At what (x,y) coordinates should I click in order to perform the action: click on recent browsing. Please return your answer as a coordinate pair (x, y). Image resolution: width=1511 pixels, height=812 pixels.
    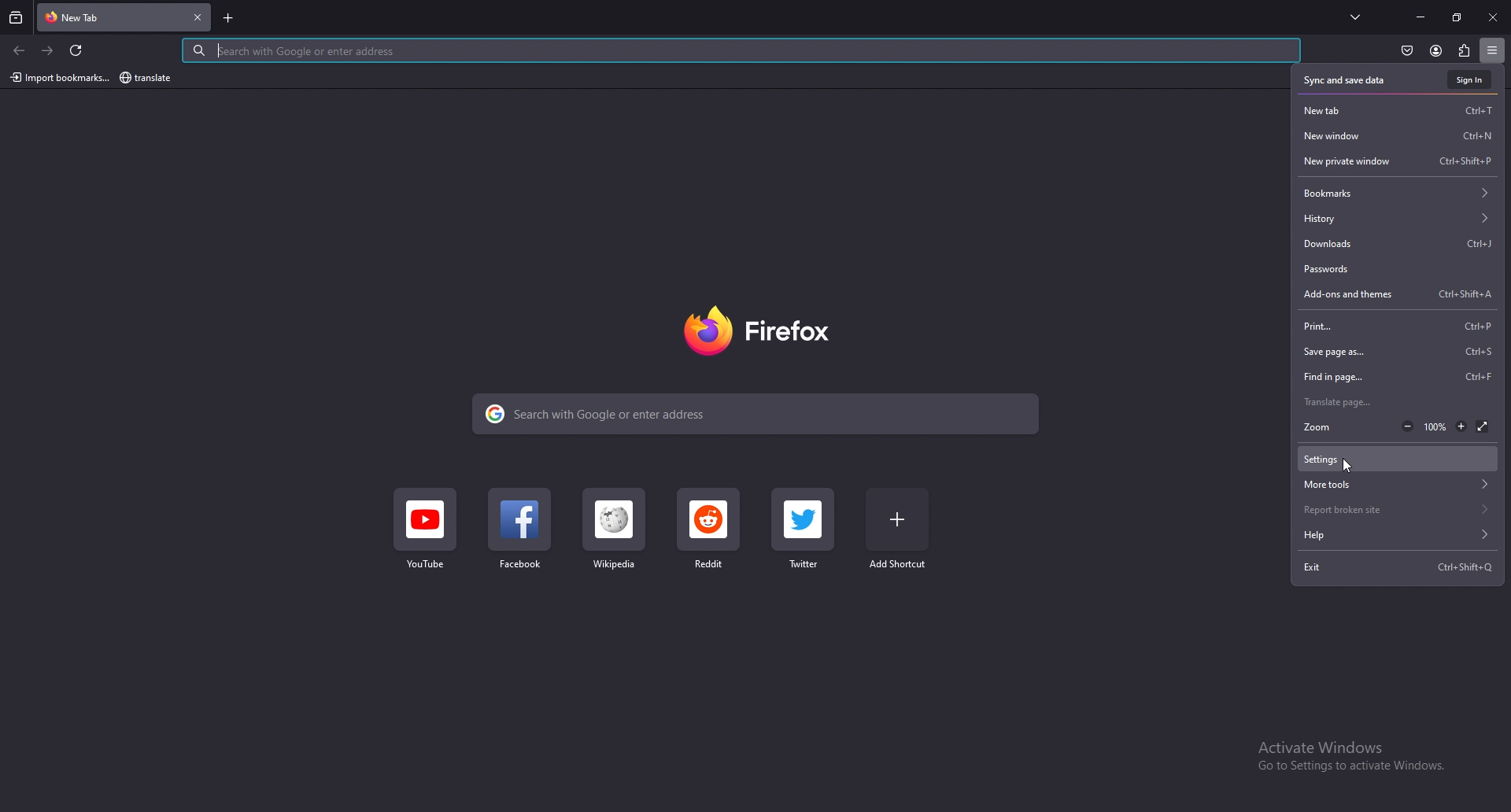
    Looking at the image, I should click on (16, 17).